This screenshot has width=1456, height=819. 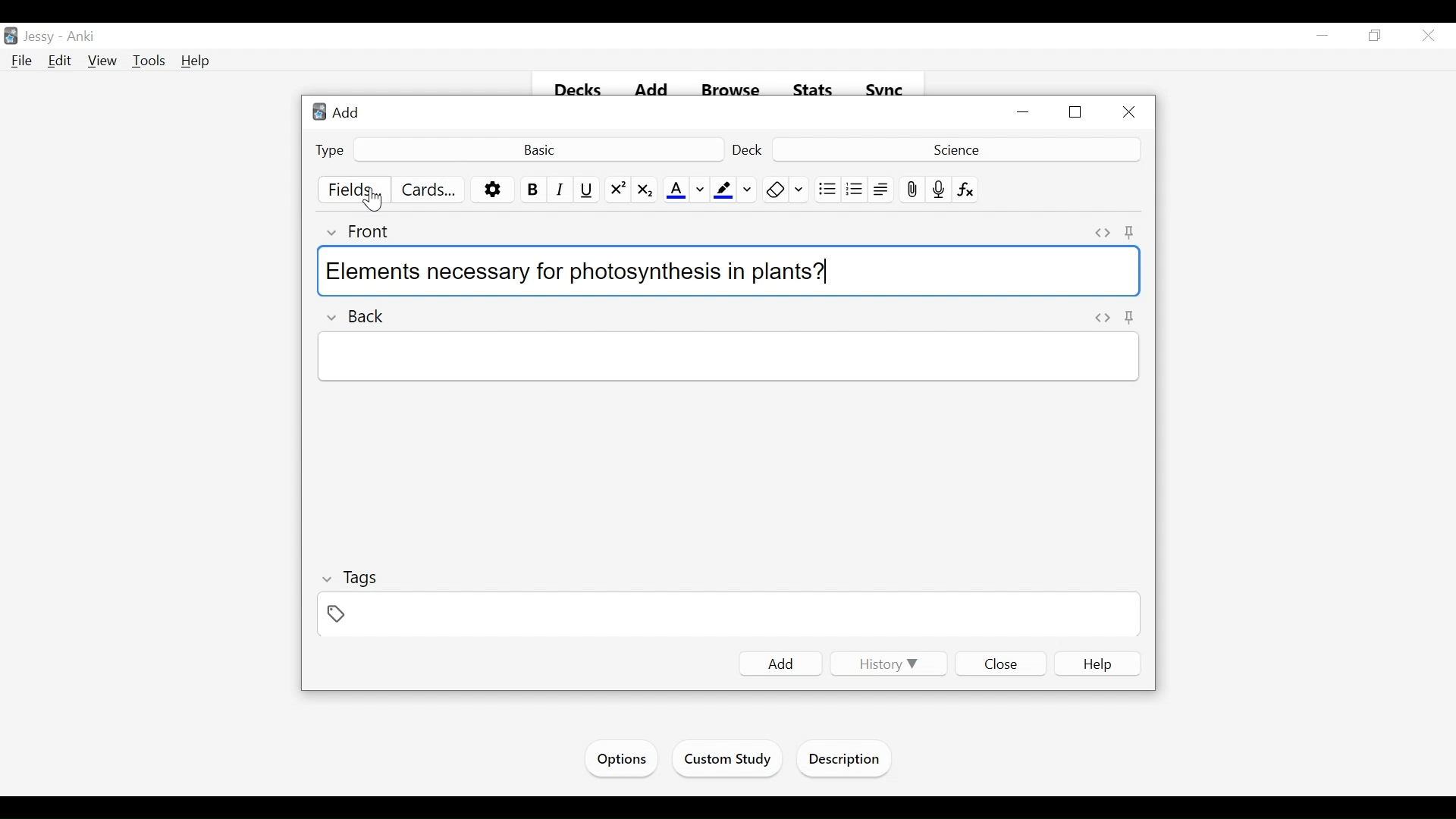 What do you see at coordinates (1128, 113) in the screenshot?
I see `Close` at bounding box center [1128, 113].